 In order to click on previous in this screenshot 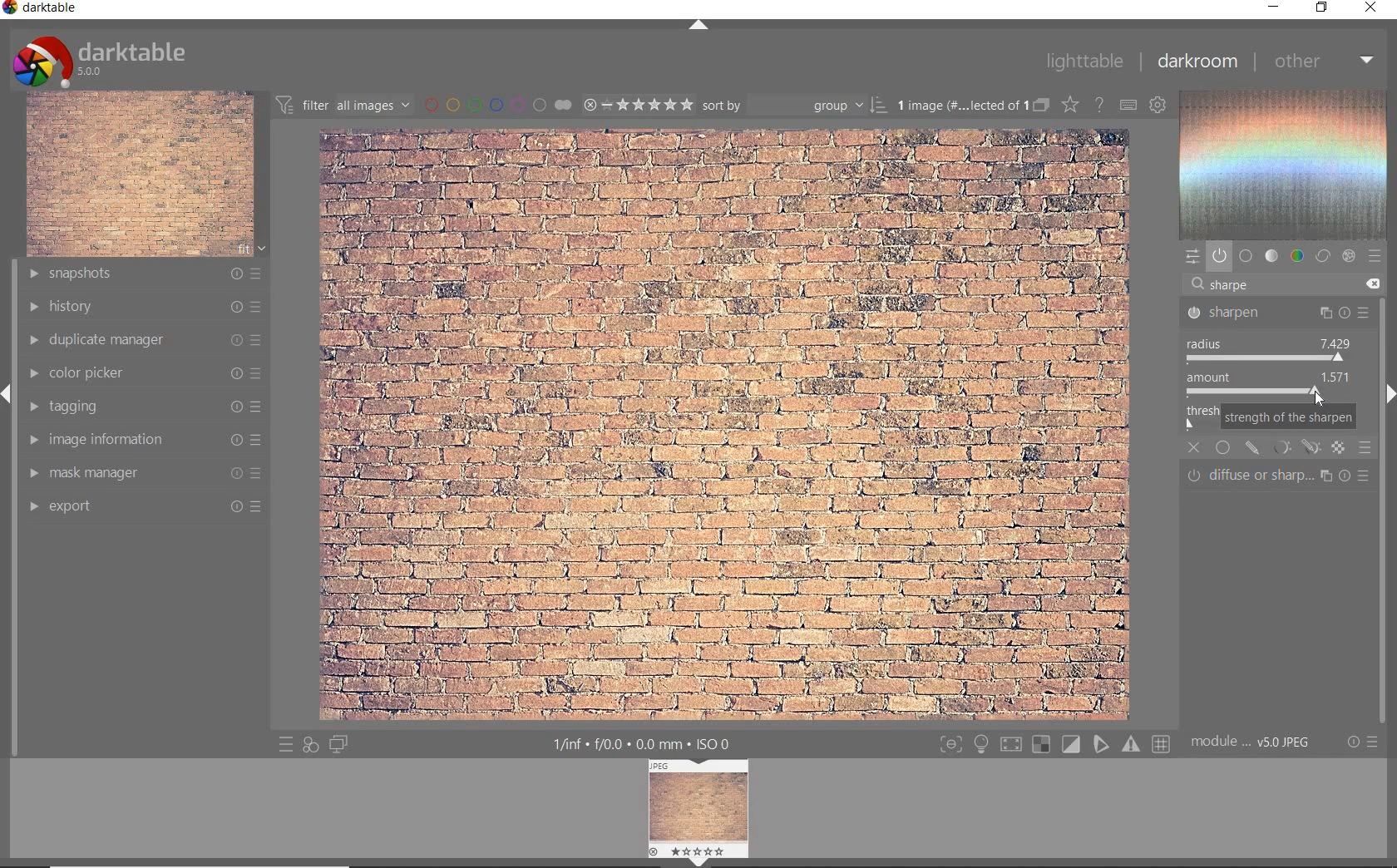, I will do `click(8, 402)`.